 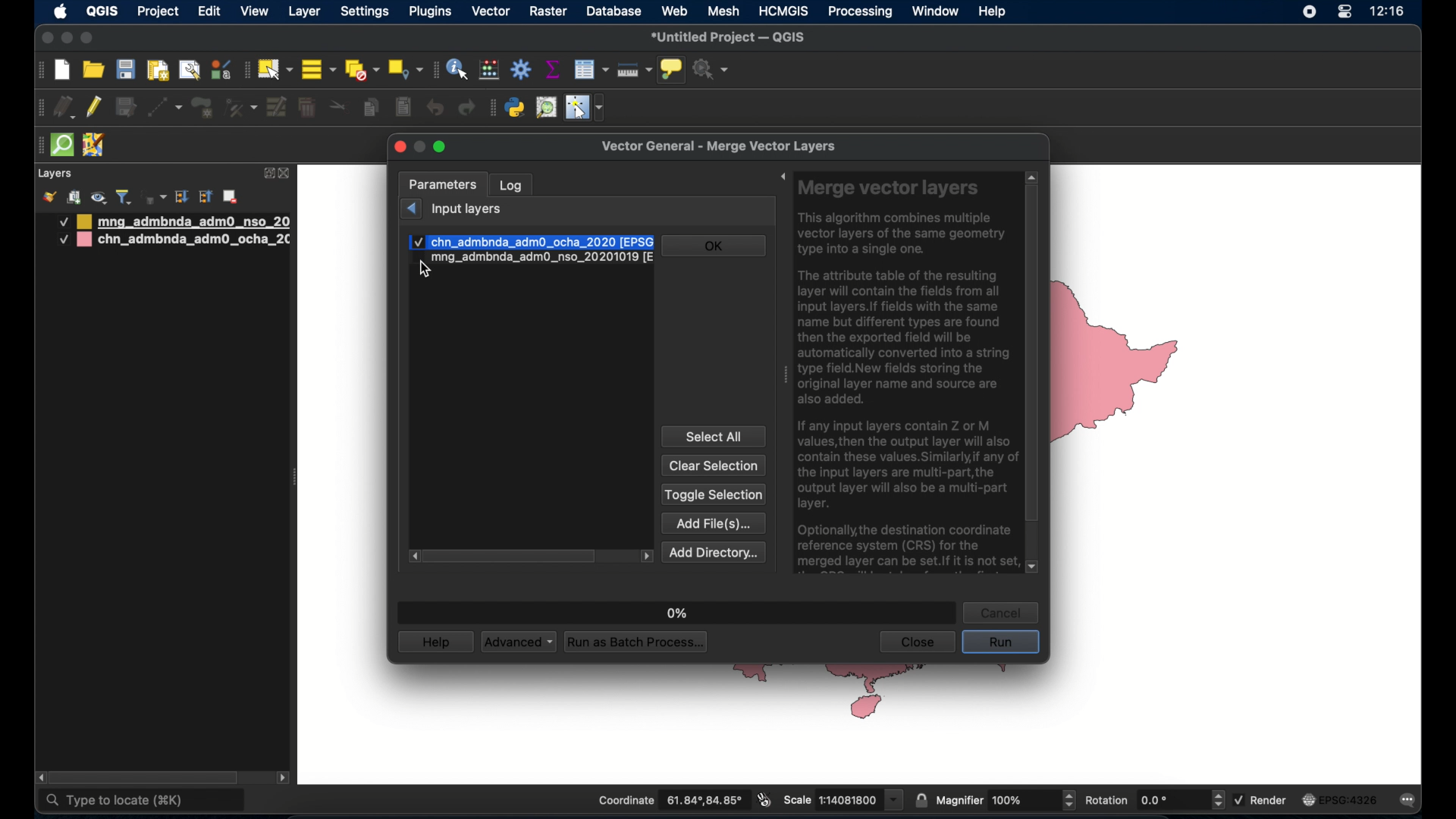 I want to click on cursor, so click(x=422, y=271).